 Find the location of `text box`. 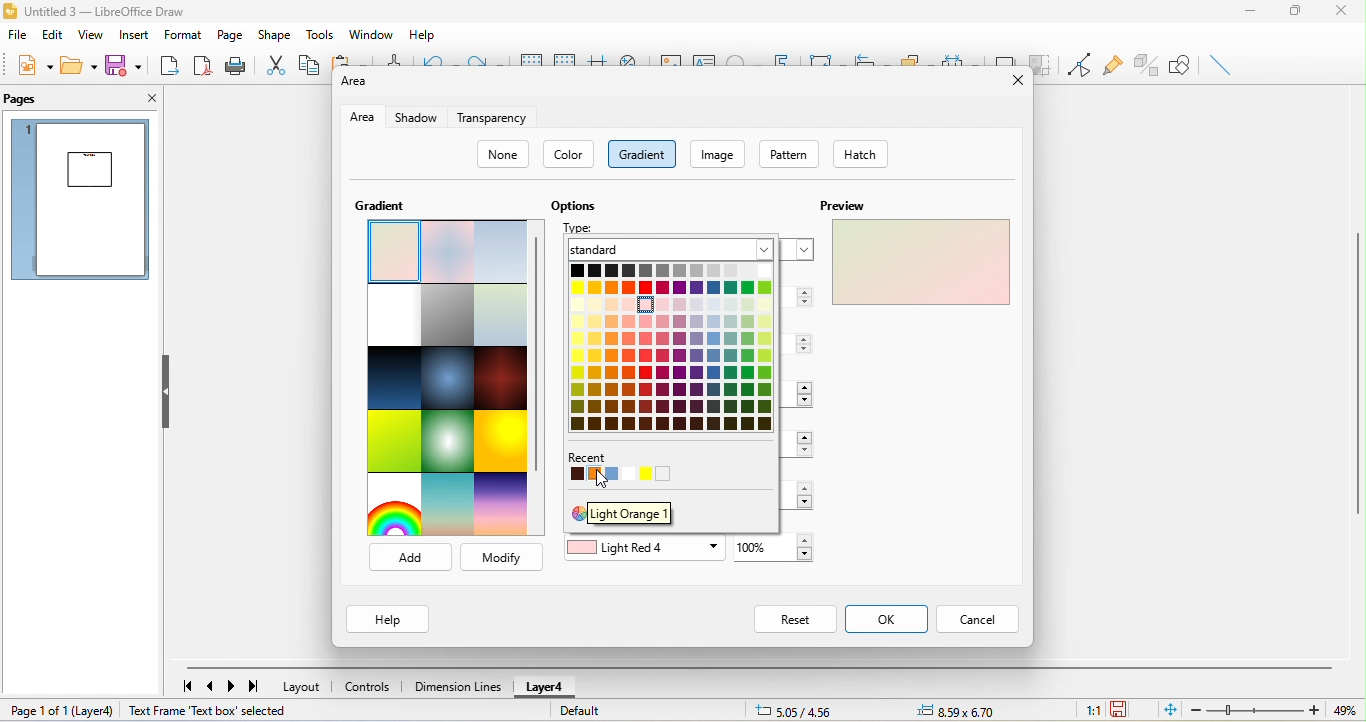

text box is located at coordinates (706, 58).